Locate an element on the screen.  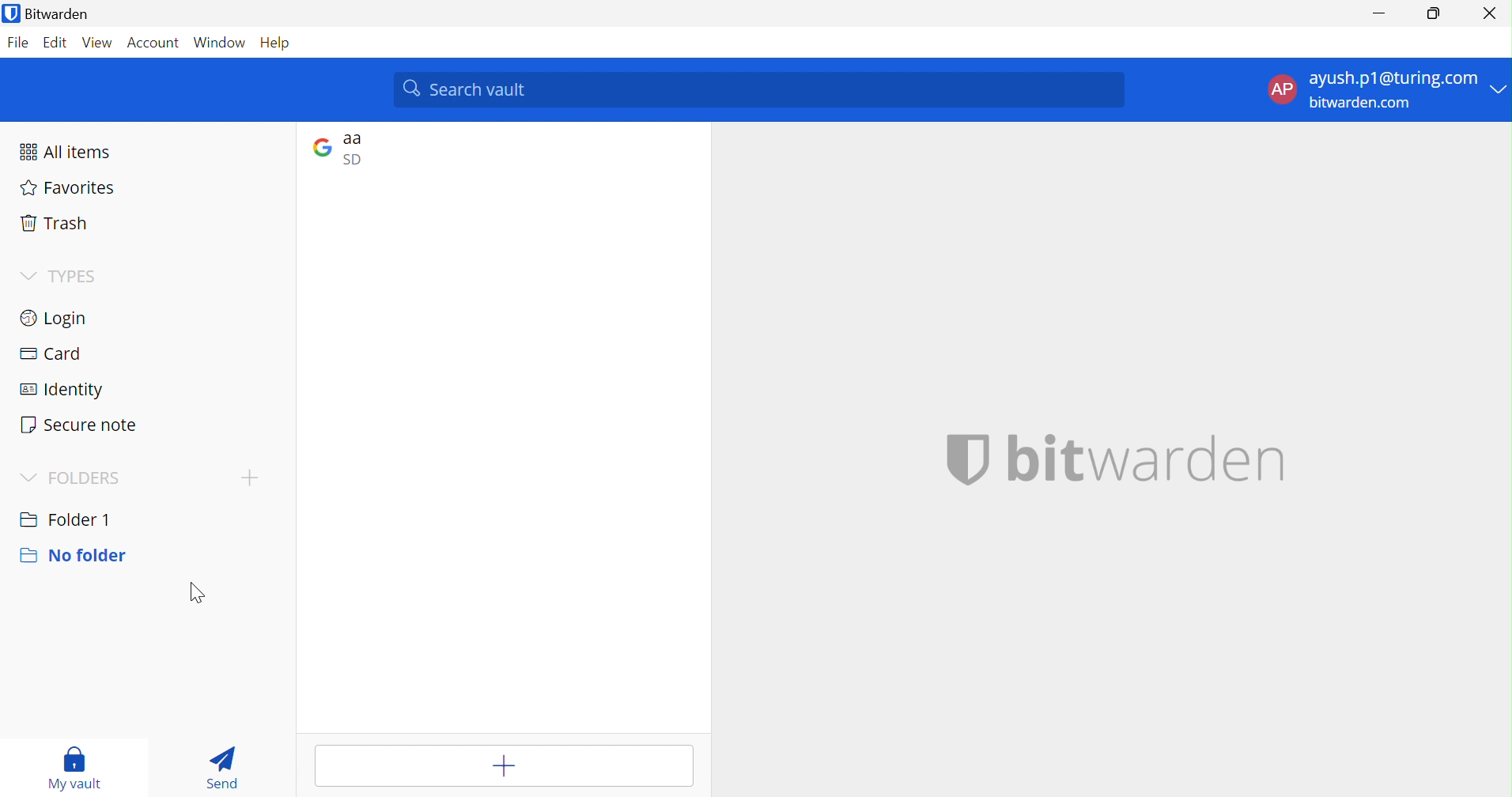
No folder is located at coordinates (74, 559).